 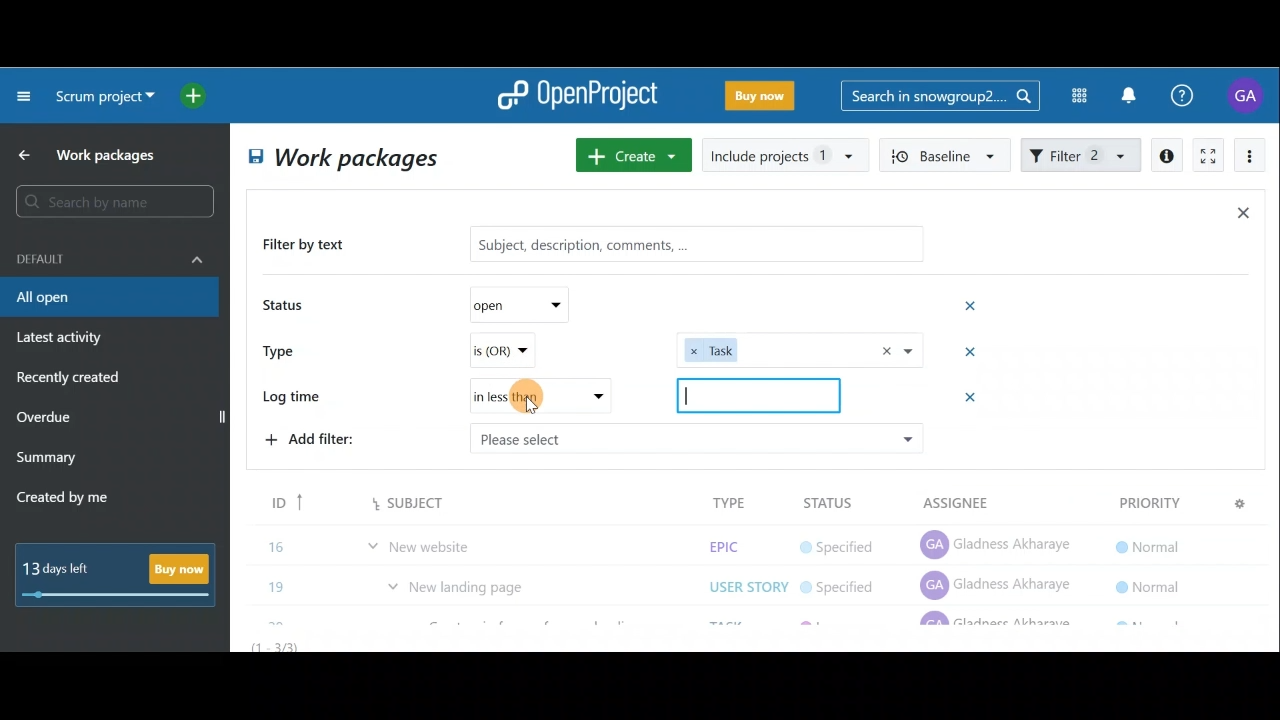 What do you see at coordinates (312, 246) in the screenshot?
I see `Filter by text` at bounding box center [312, 246].